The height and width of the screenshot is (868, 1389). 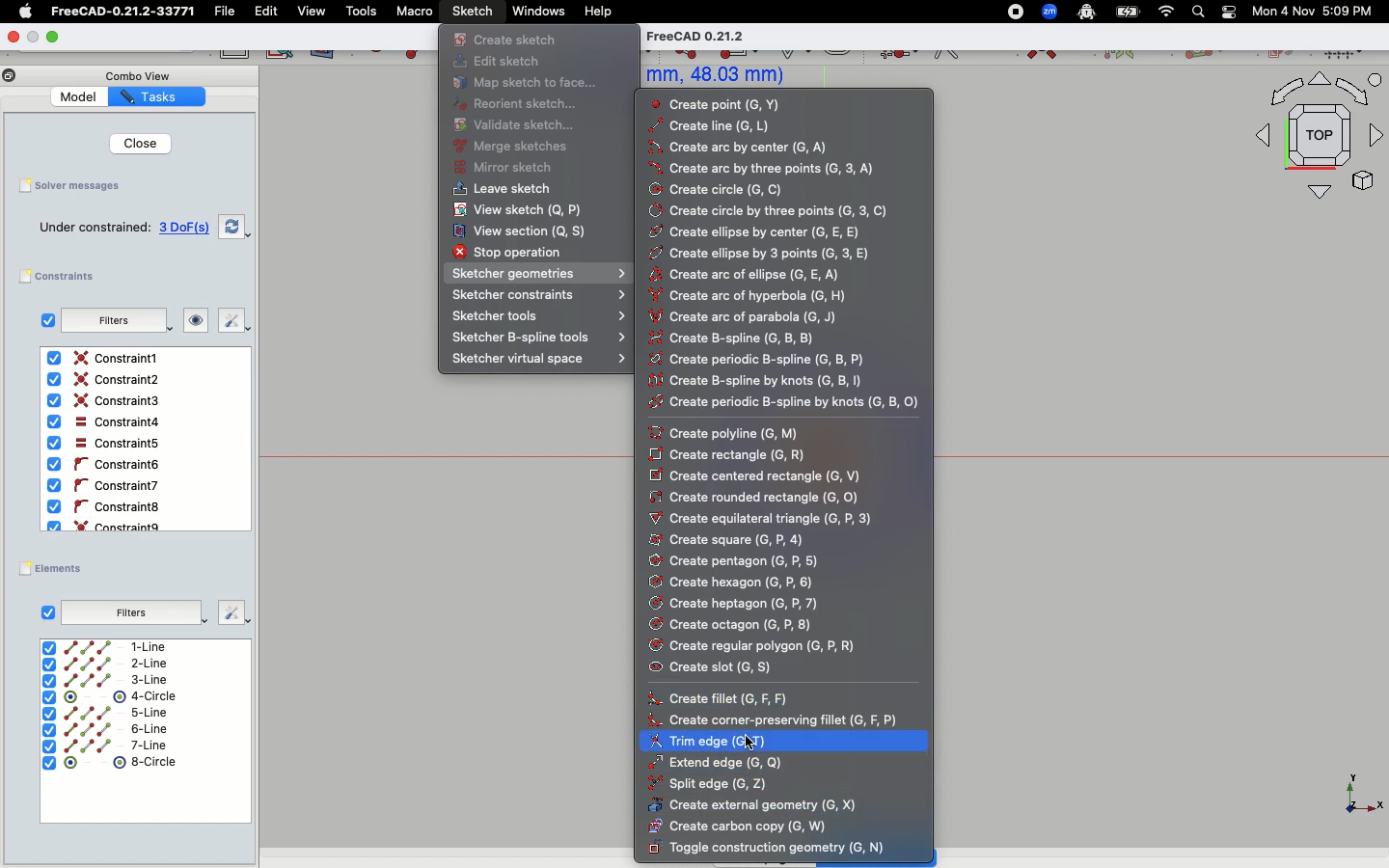 What do you see at coordinates (135, 143) in the screenshot?
I see `Close` at bounding box center [135, 143].